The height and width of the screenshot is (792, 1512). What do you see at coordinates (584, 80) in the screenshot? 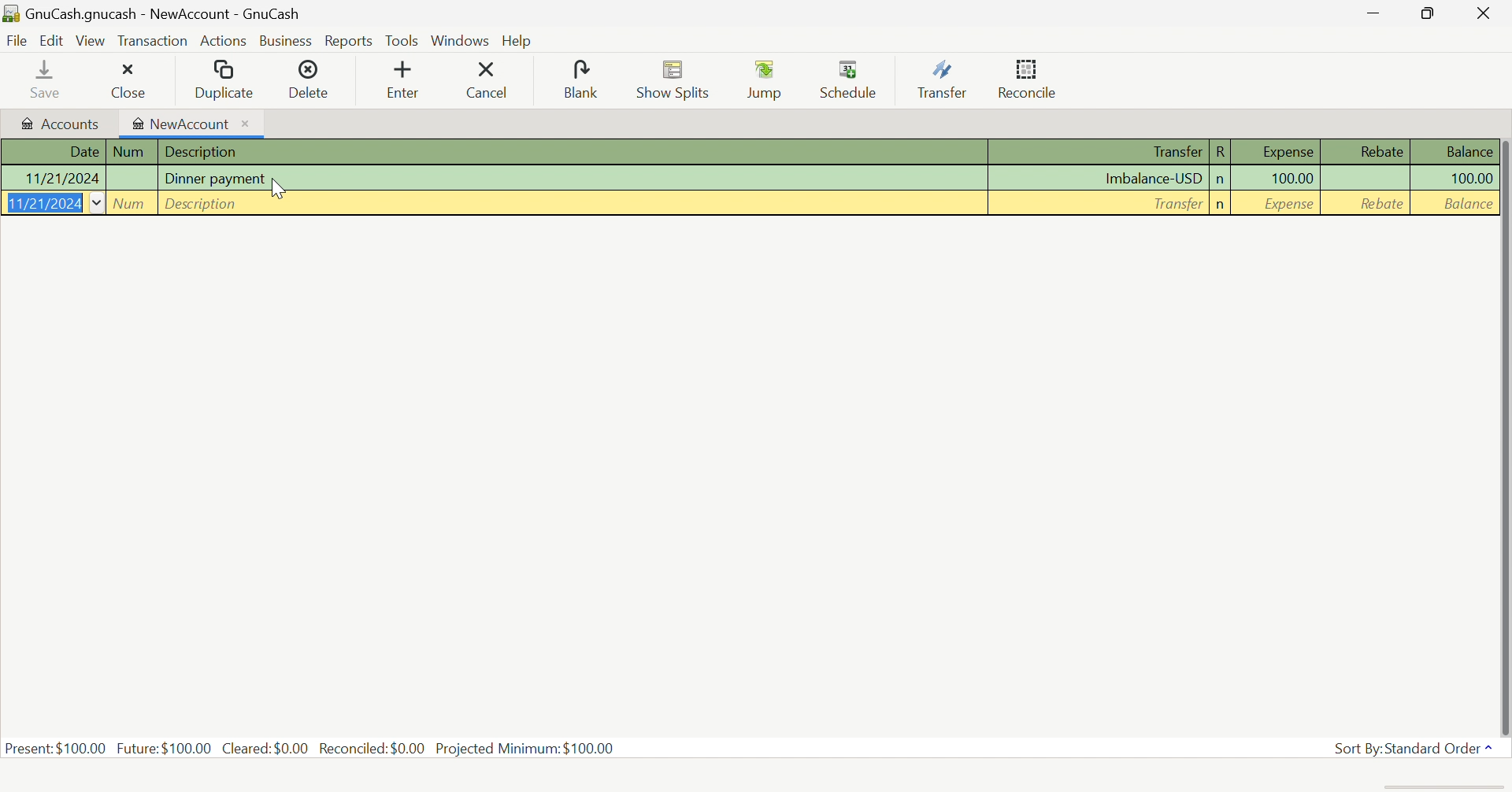
I see `Blank` at bounding box center [584, 80].